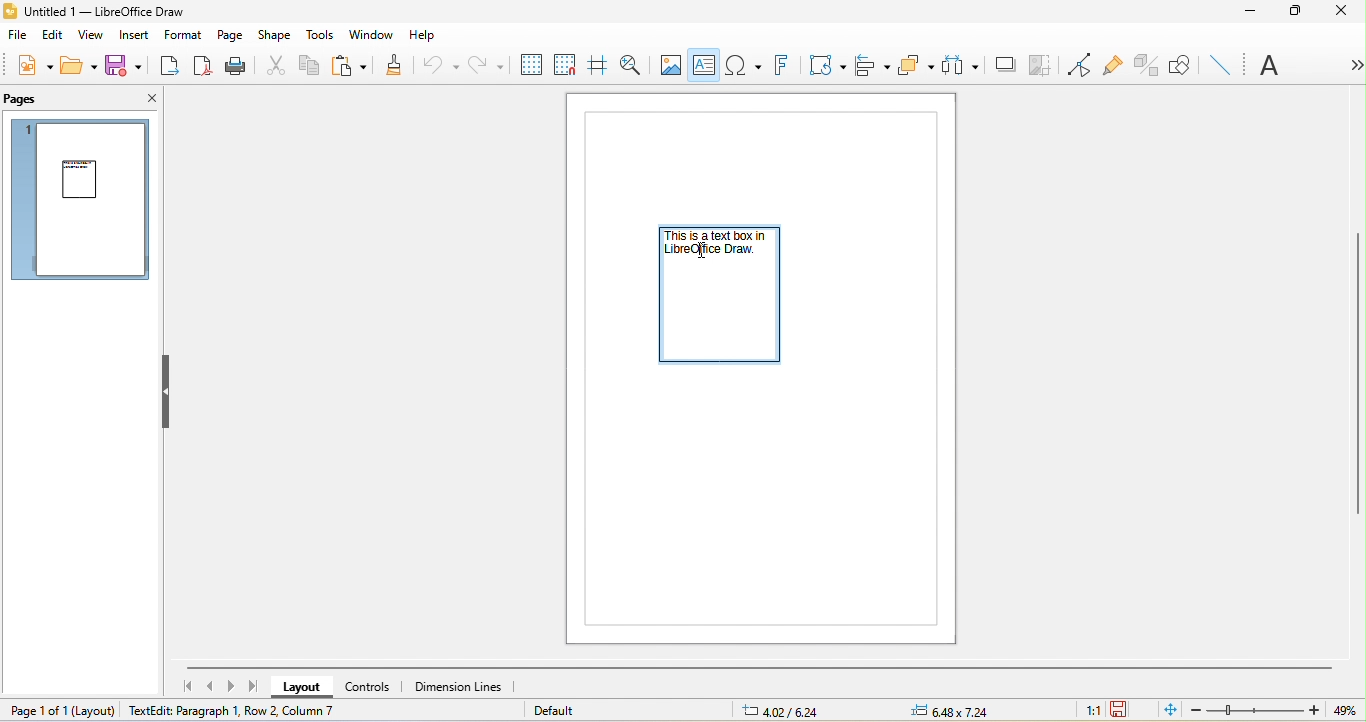 This screenshot has height=722, width=1366. Describe the element at coordinates (84, 202) in the screenshot. I see `page 1` at that location.